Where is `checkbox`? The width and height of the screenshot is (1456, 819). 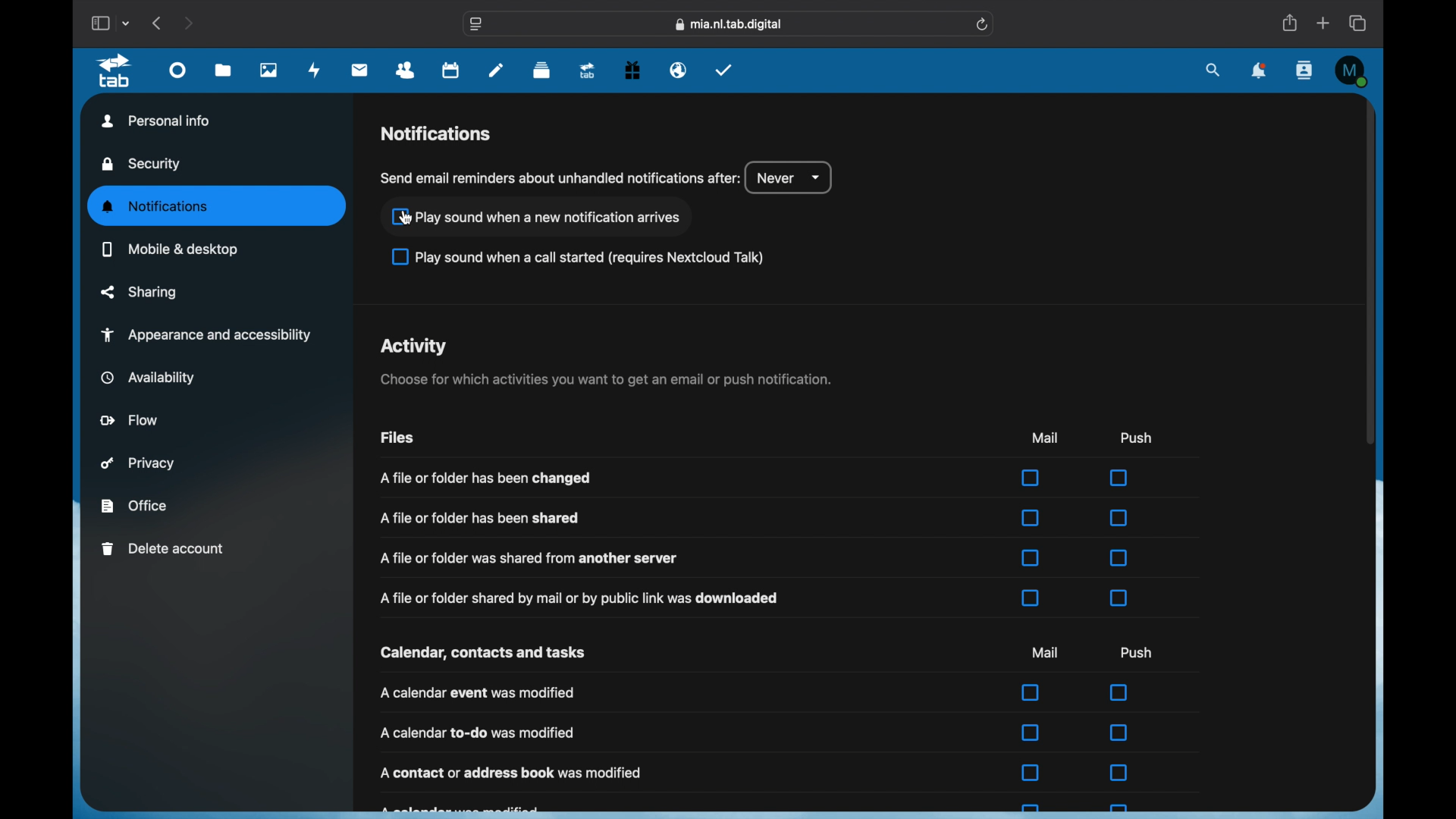 checkbox is located at coordinates (1030, 479).